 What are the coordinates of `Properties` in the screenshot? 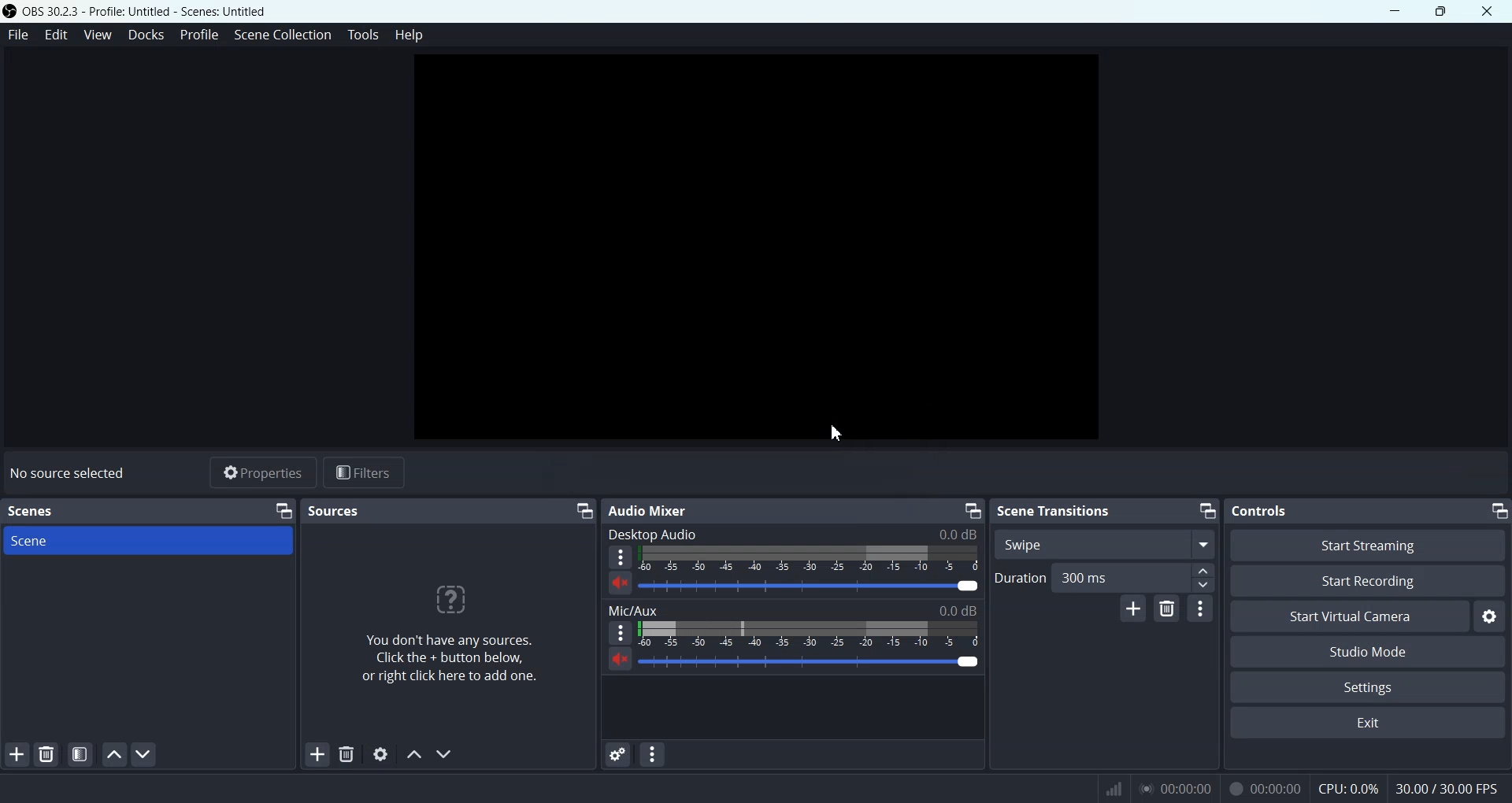 It's located at (260, 472).